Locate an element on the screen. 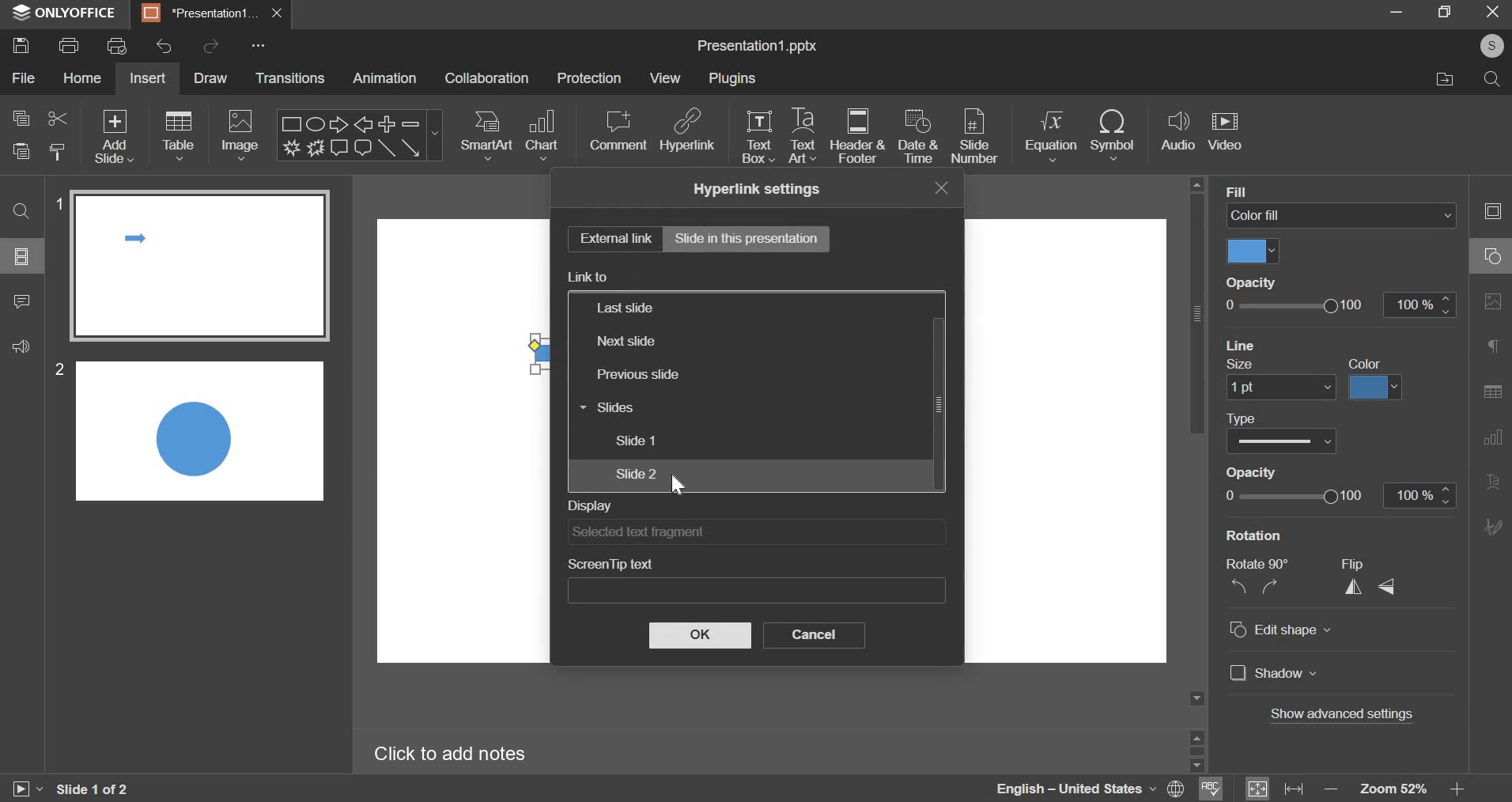 This screenshot has width=1512, height=802. undo is located at coordinates (168, 44).